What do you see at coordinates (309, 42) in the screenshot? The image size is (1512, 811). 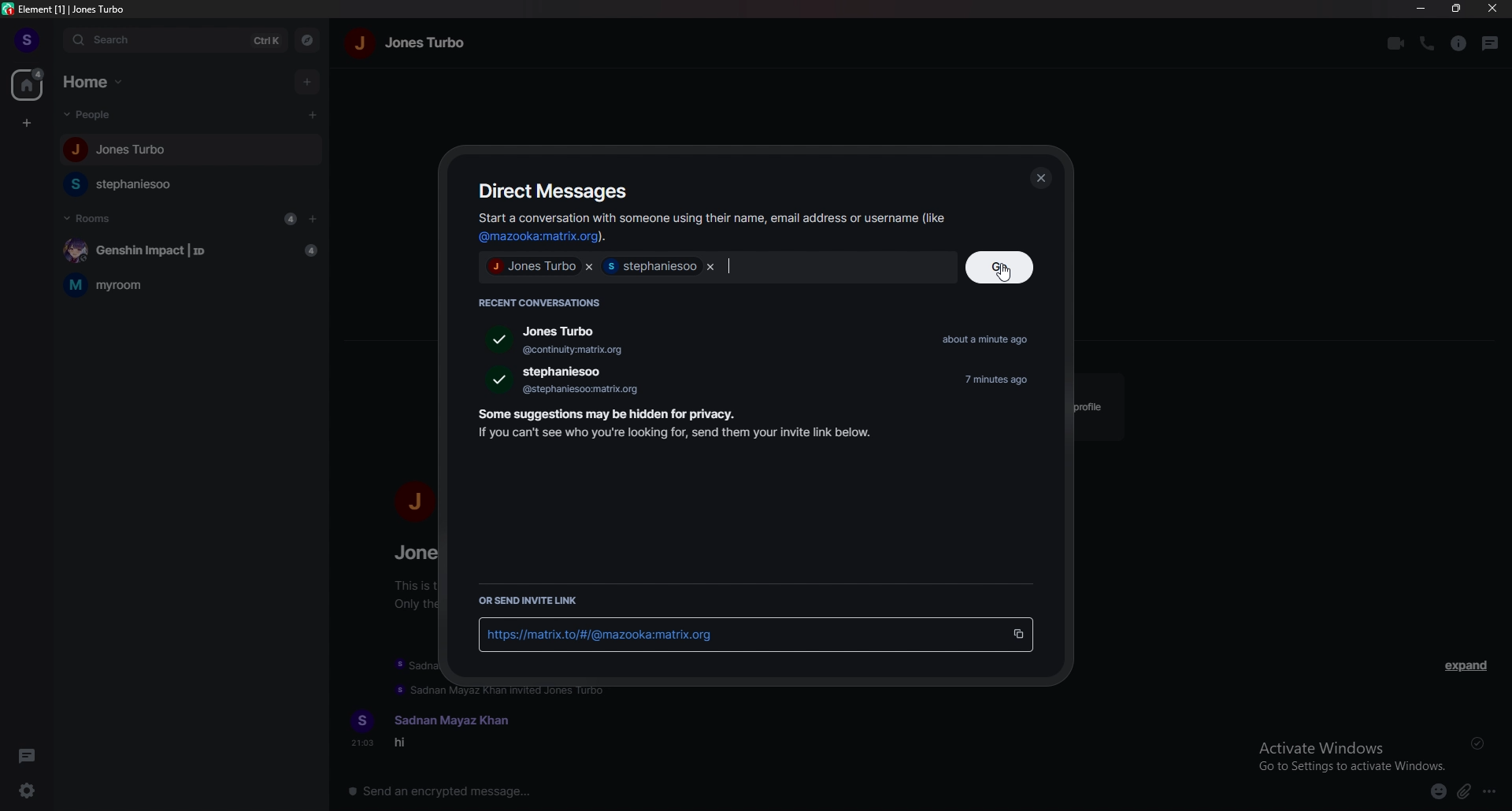 I see `explore rooms` at bounding box center [309, 42].